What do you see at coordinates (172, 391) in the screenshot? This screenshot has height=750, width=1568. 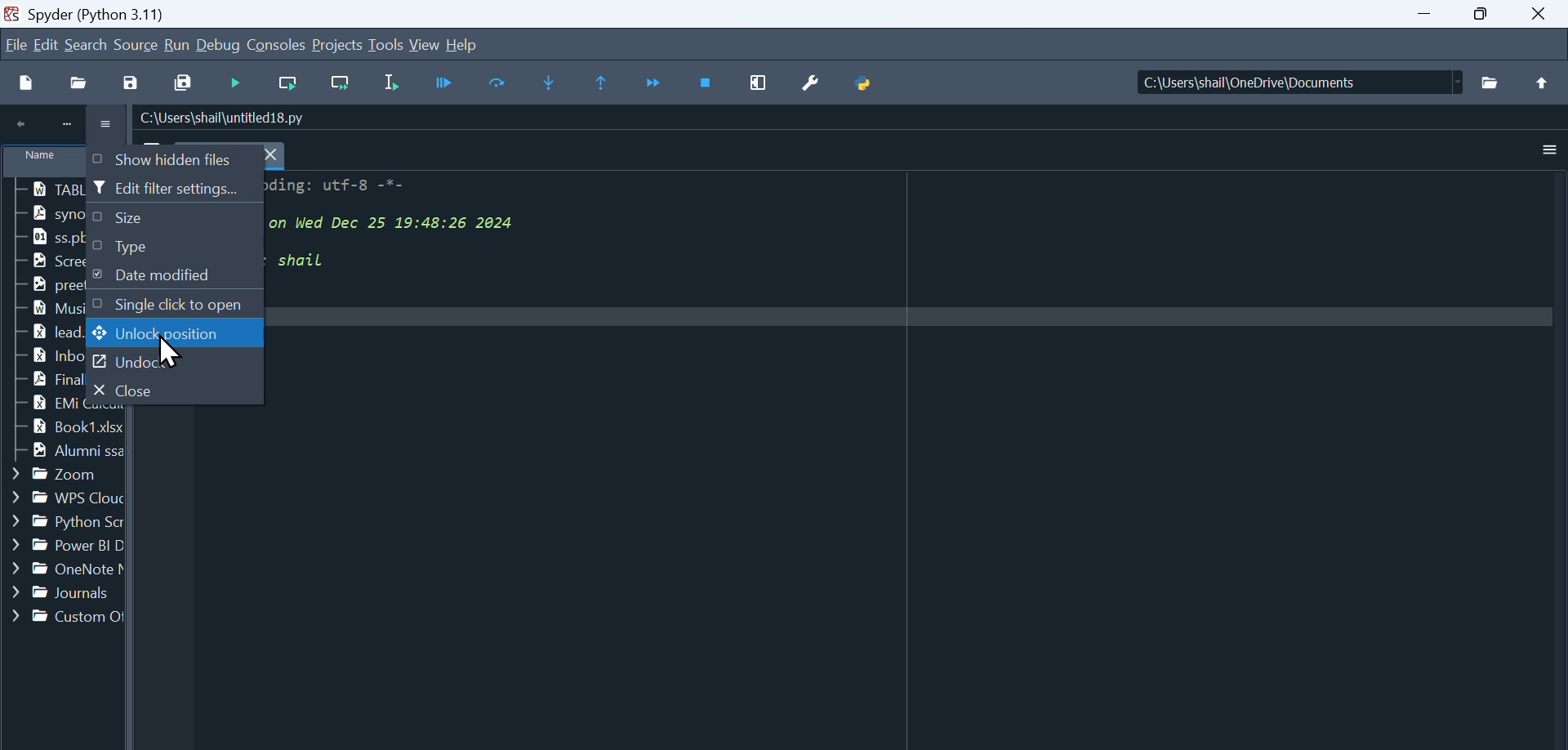 I see `close` at bounding box center [172, 391].